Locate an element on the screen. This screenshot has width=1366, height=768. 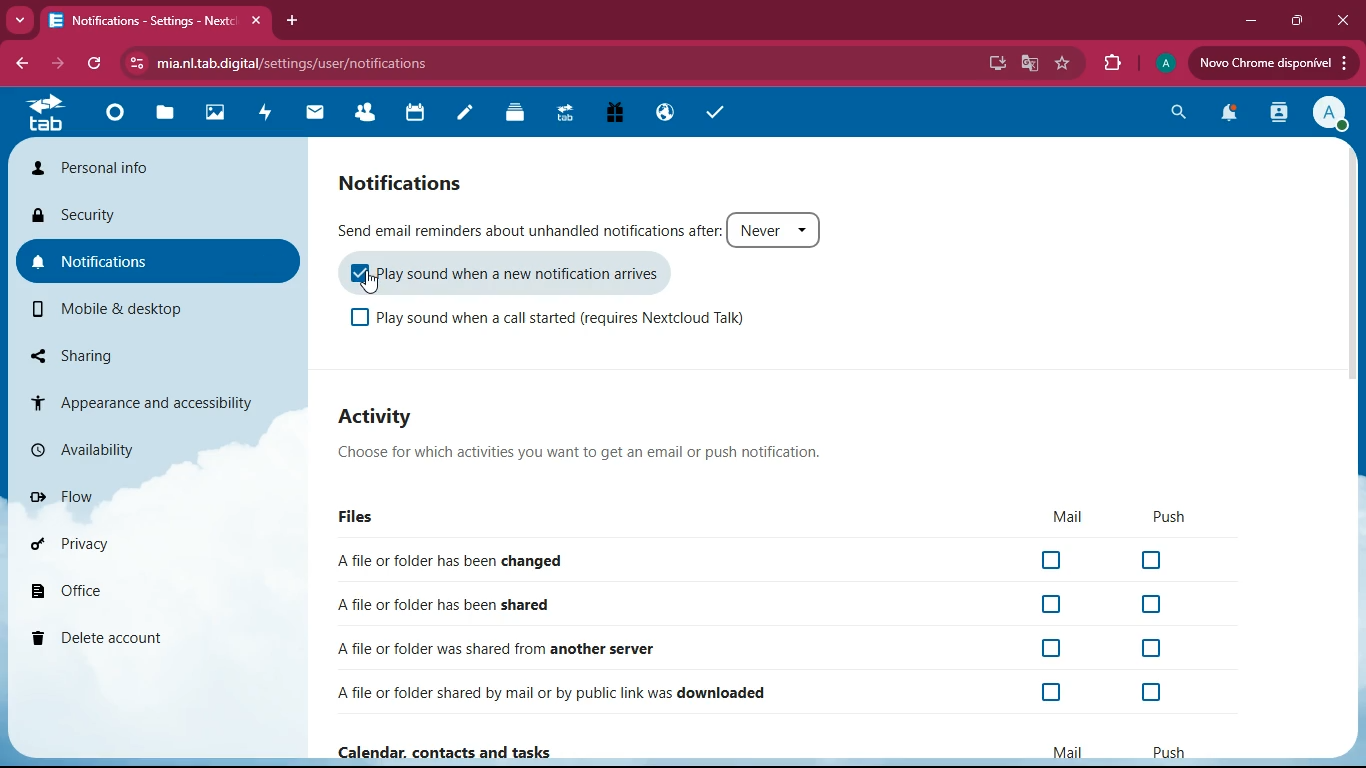
never is located at coordinates (774, 230).